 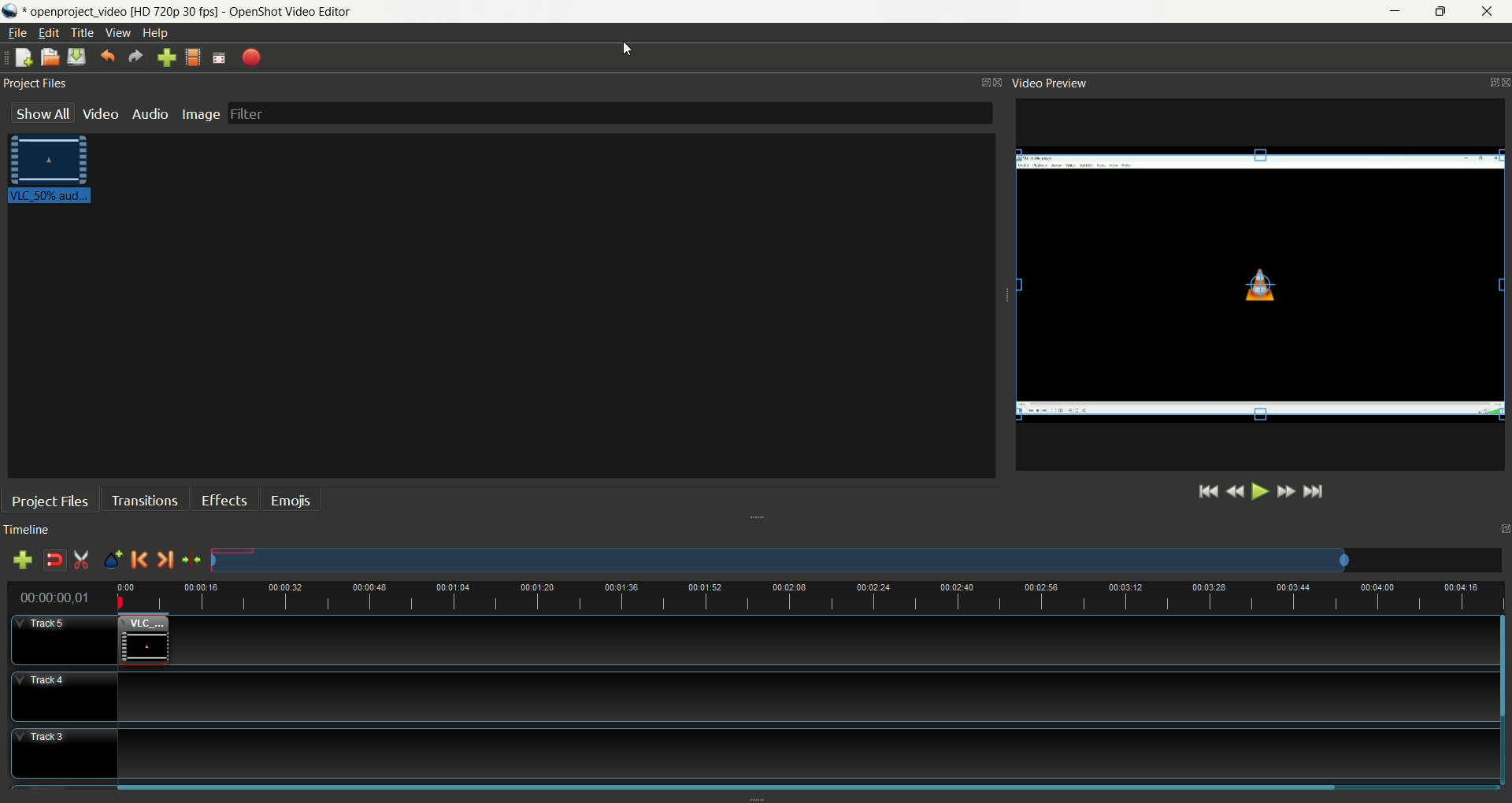 I want to click on effects, so click(x=228, y=498).